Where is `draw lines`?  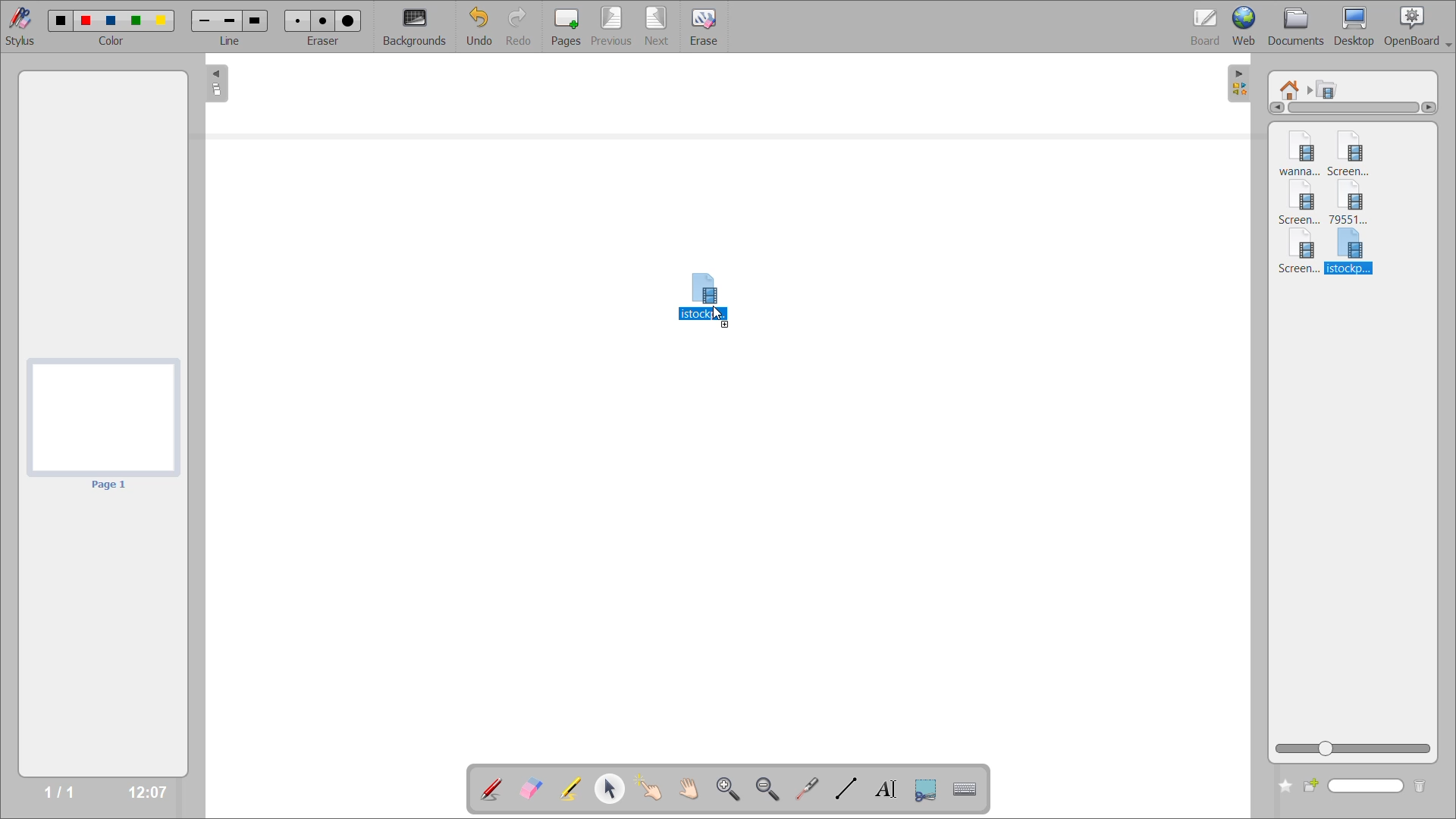 draw lines is located at coordinates (846, 790).